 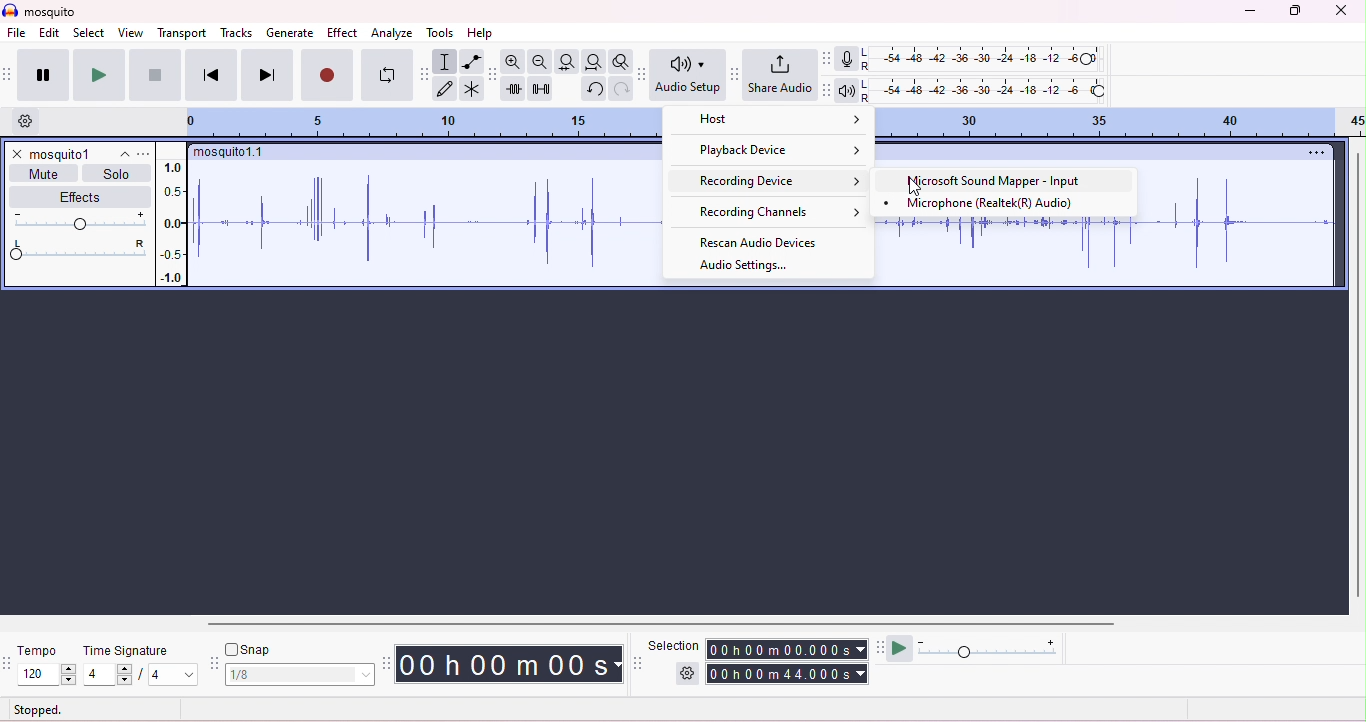 What do you see at coordinates (472, 61) in the screenshot?
I see `envelop` at bounding box center [472, 61].